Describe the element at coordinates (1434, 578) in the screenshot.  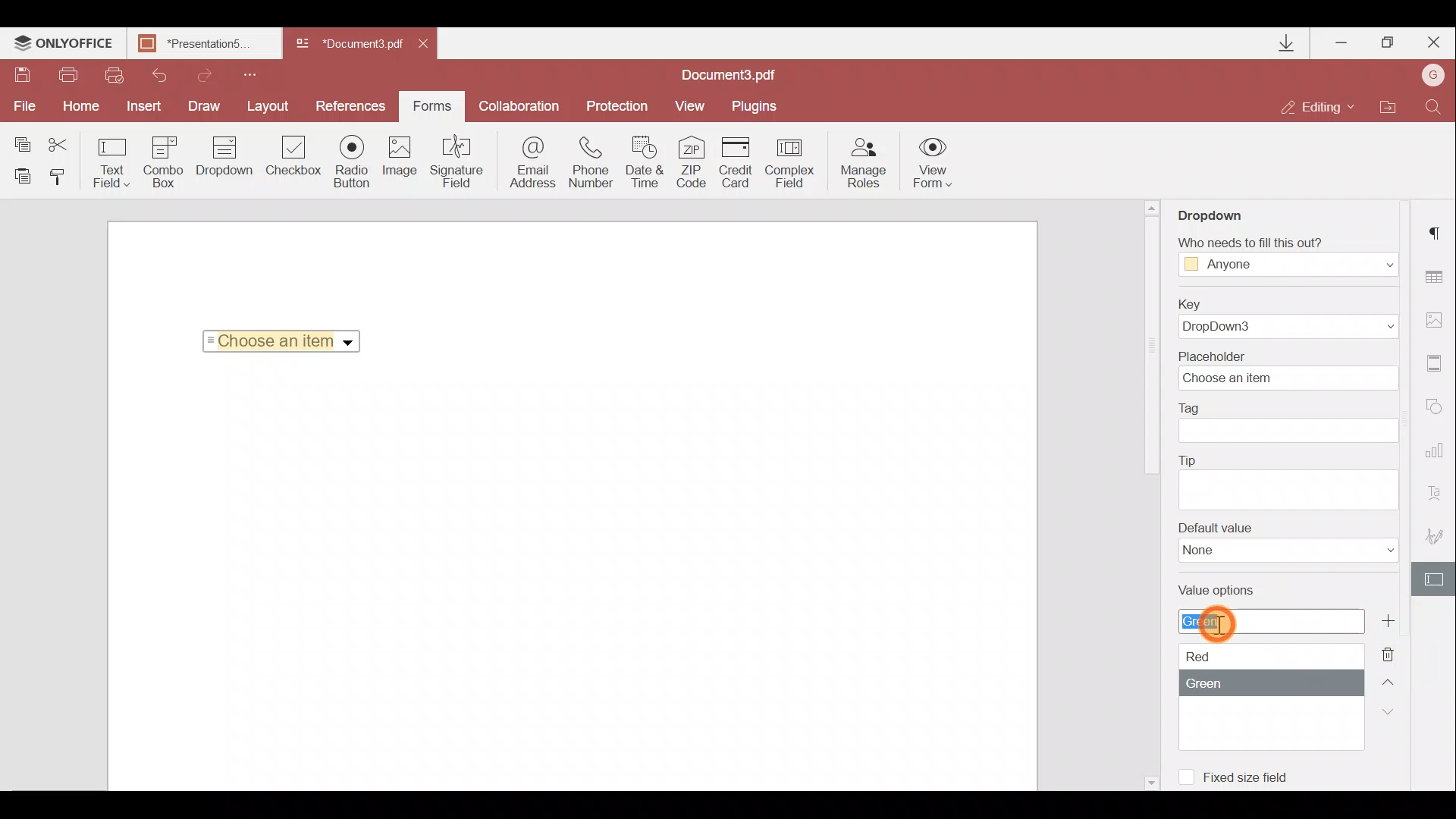
I see `Form settings` at that location.